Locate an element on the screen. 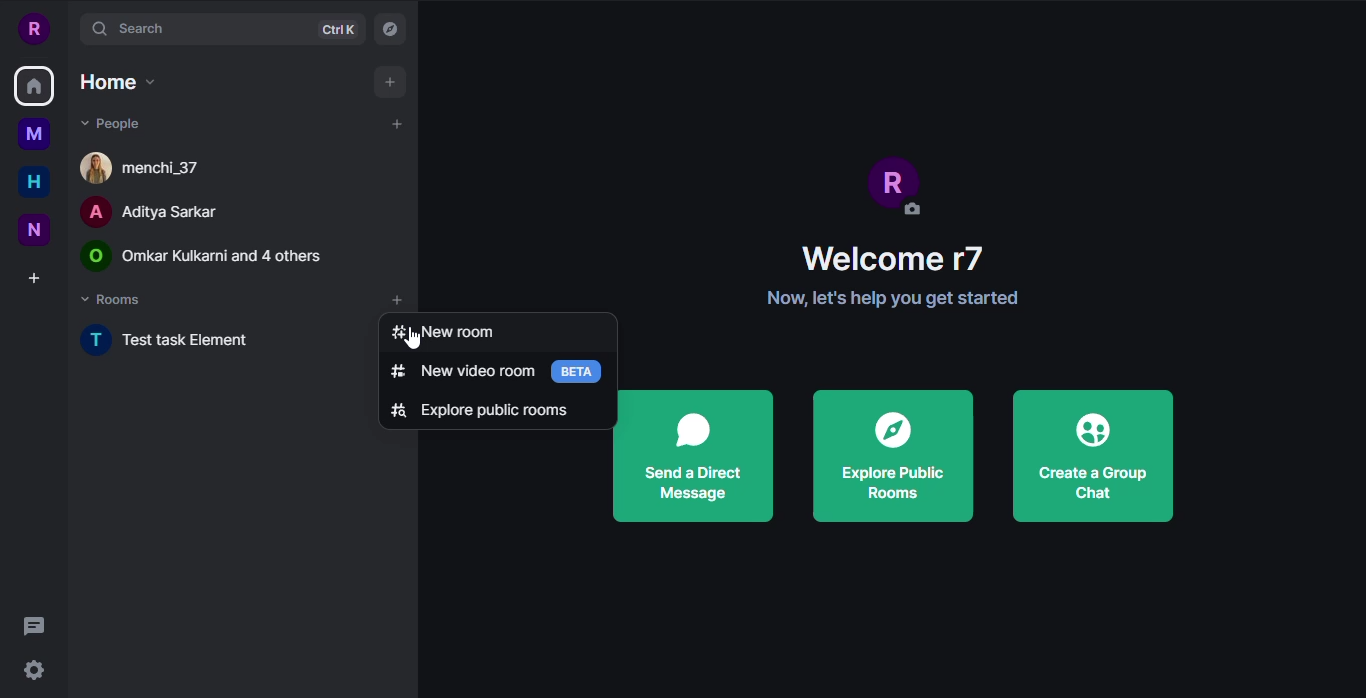  create a group chat is located at coordinates (1095, 455).